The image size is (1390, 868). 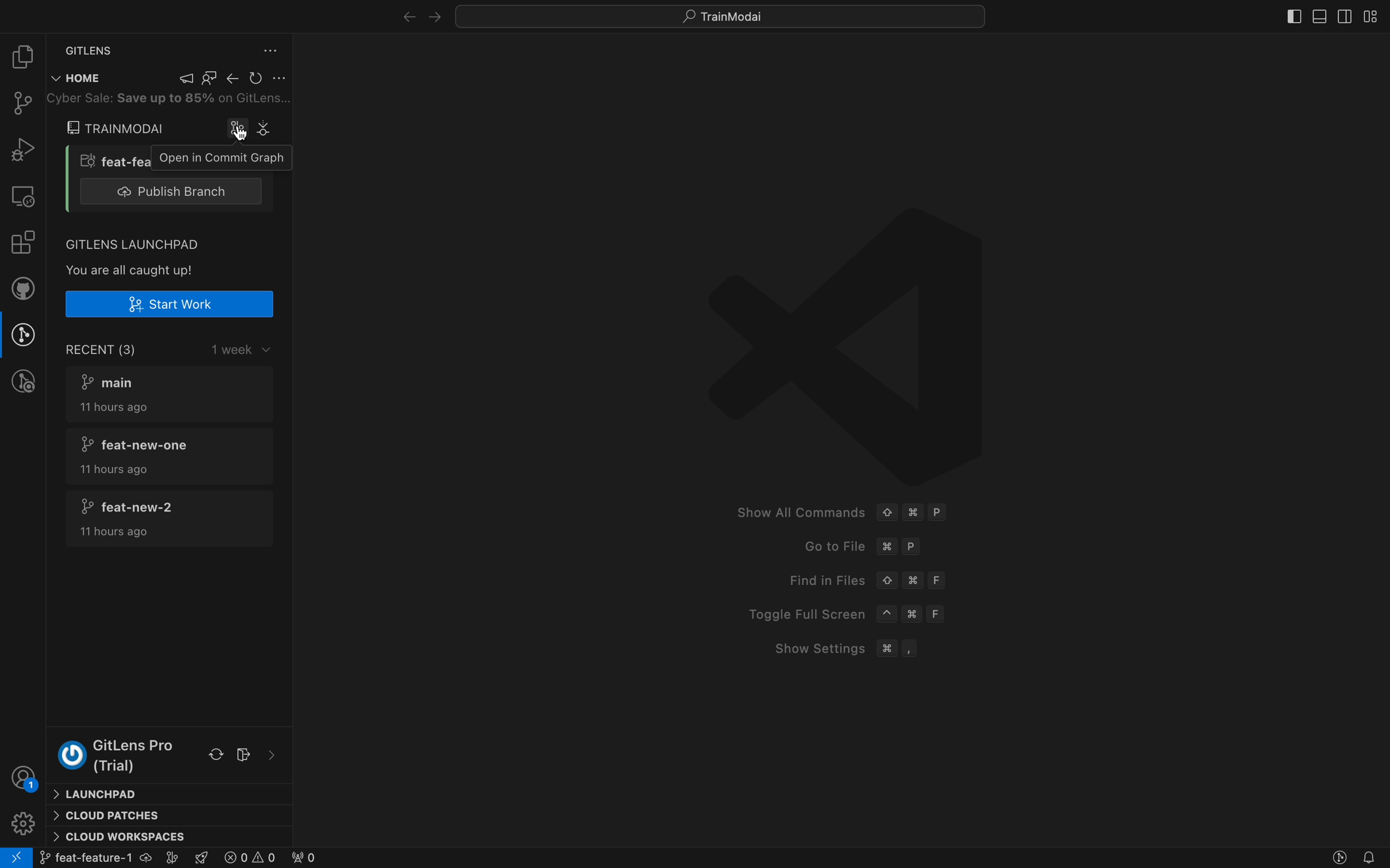 What do you see at coordinates (168, 838) in the screenshot?
I see `workspaces` at bounding box center [168, 838].